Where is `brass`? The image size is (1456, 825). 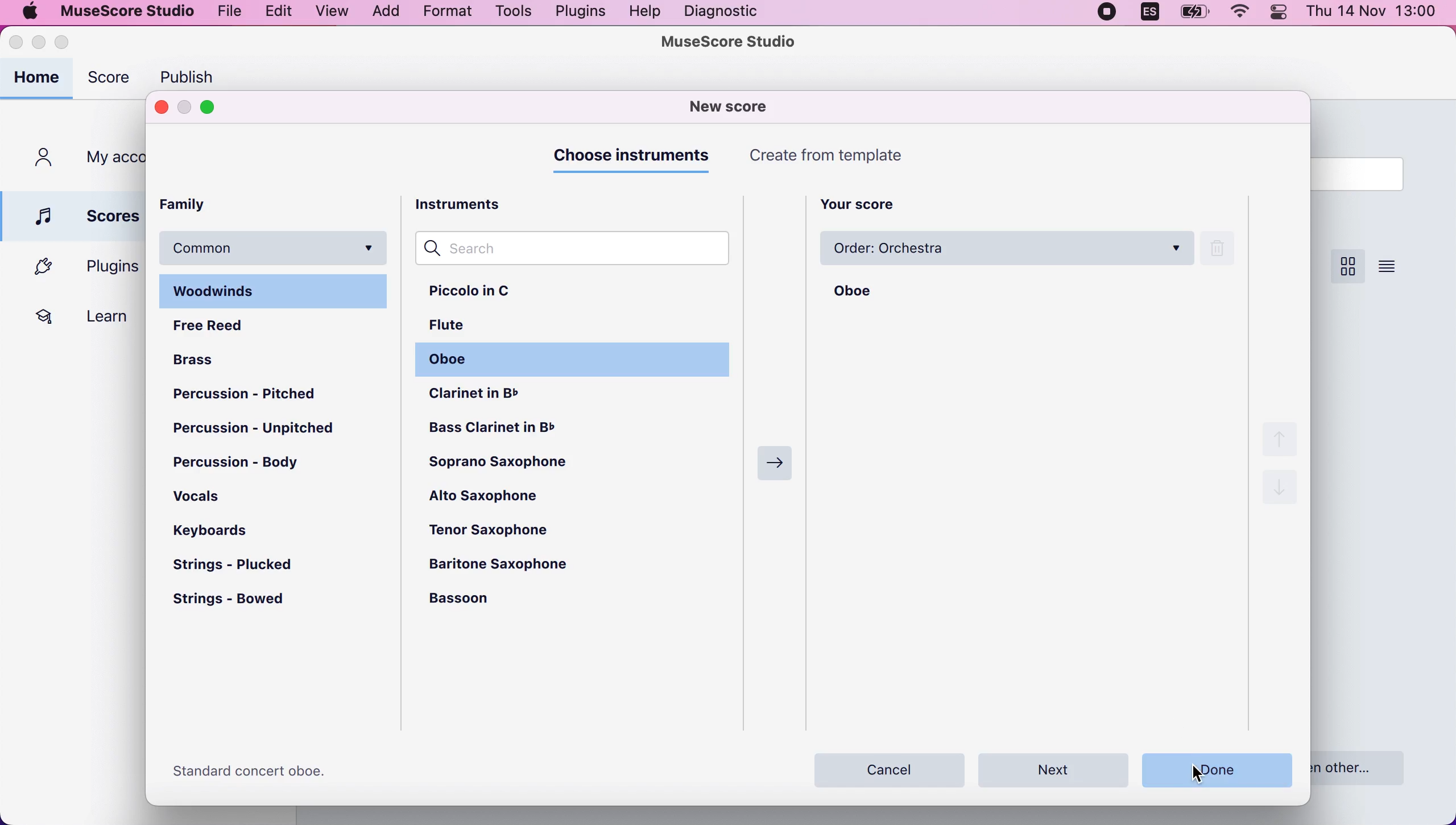 brass is located at coordinates (205, 357).